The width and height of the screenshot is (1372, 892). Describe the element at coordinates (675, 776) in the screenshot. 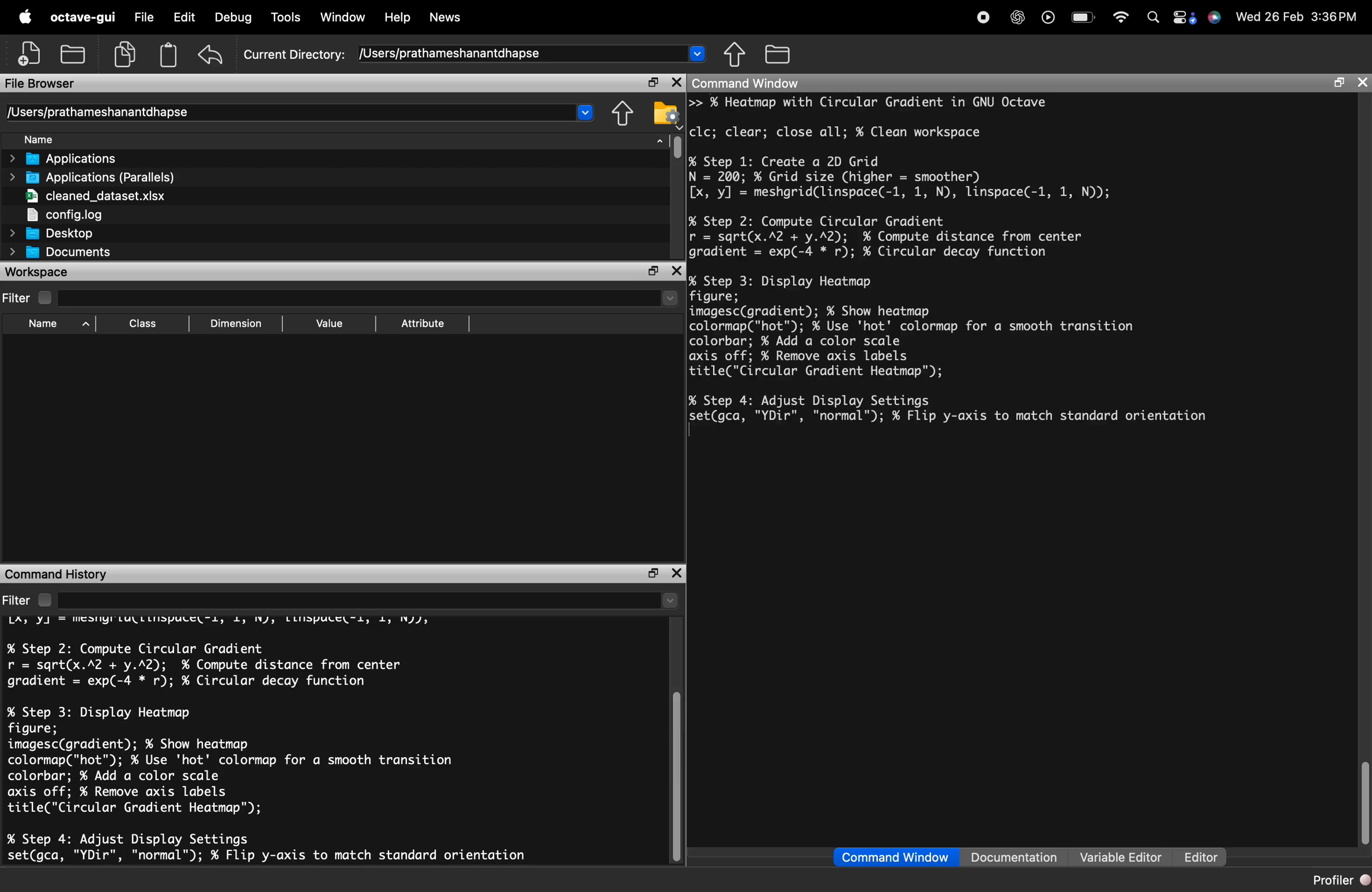

I see `vertical scrollbar` at that location.